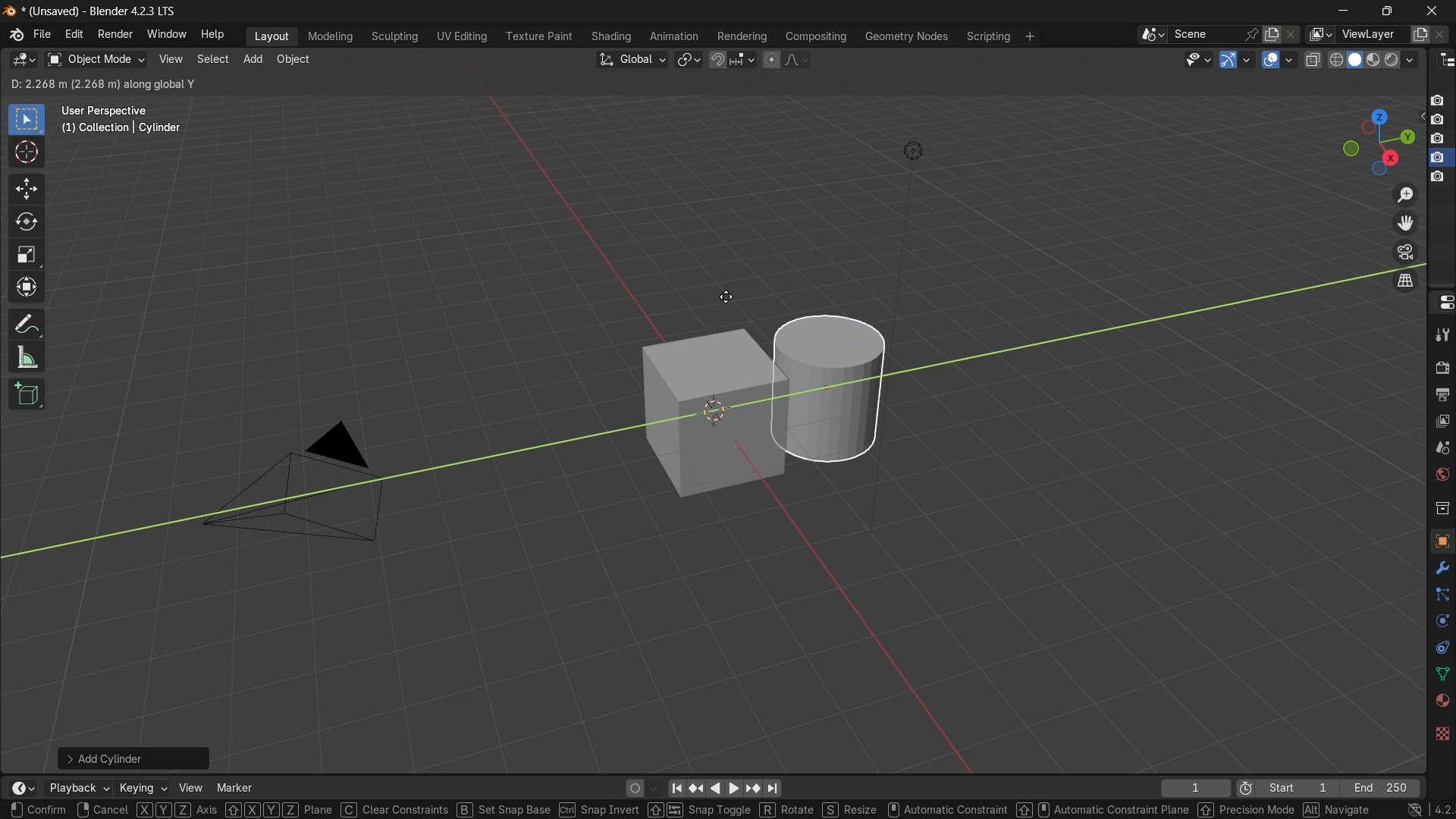  What do you see at coordinates (750, 788) in the screenshot?
I see `jump to keyframe` at bounding box center [750, 788].